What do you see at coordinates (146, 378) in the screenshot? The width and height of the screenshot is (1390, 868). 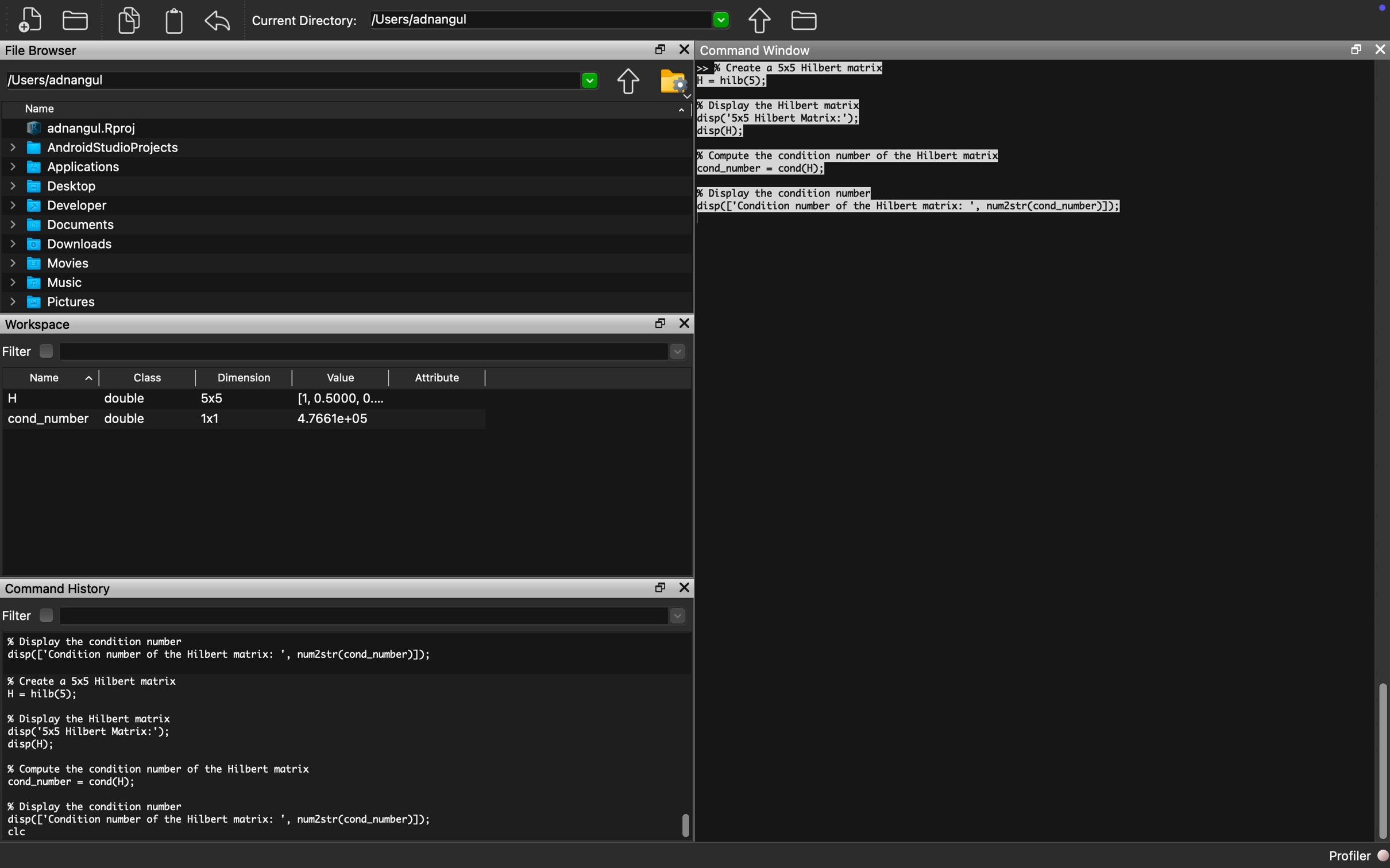 I see `Class` at bounding box center [146, 378].